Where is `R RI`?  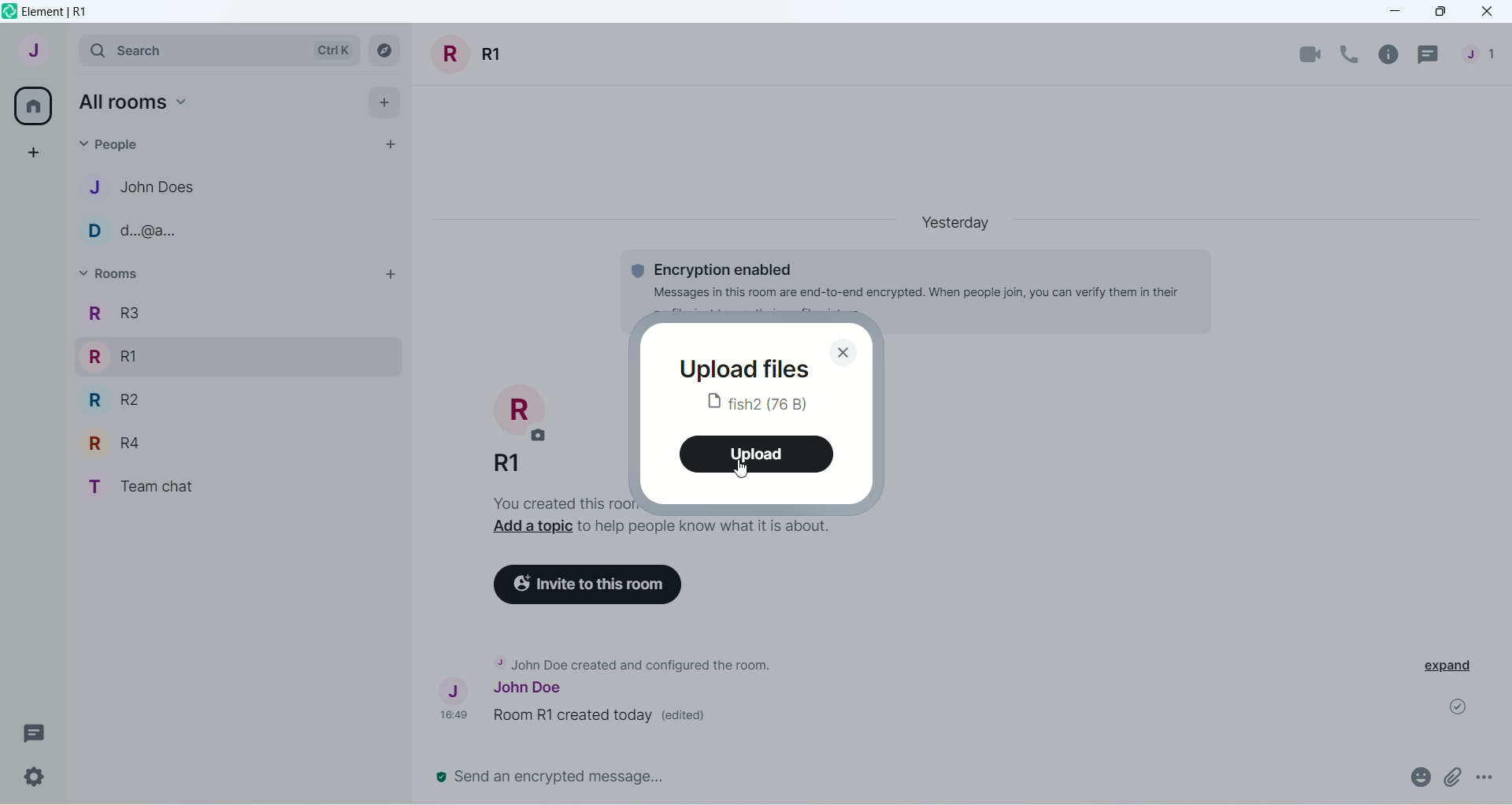 R RI is located at coordinates (113, 357).